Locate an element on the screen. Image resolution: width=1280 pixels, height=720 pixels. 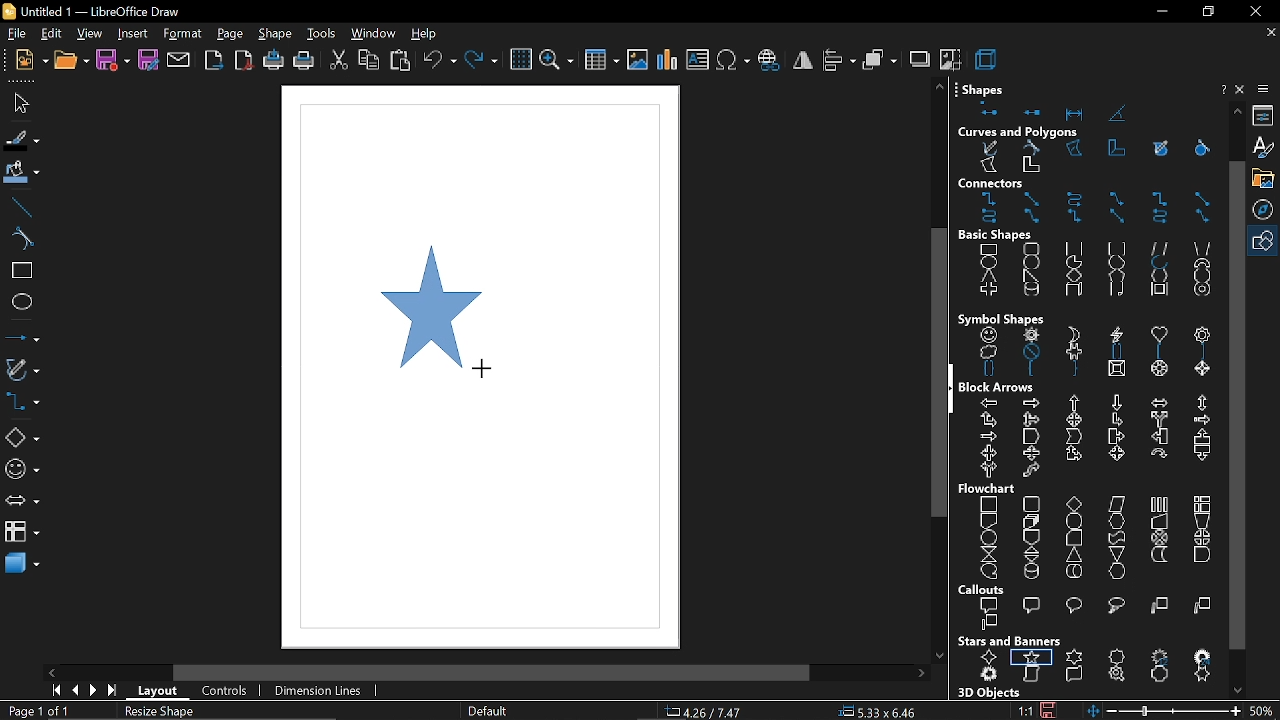
close tab is located at coordinates (1269, 33).